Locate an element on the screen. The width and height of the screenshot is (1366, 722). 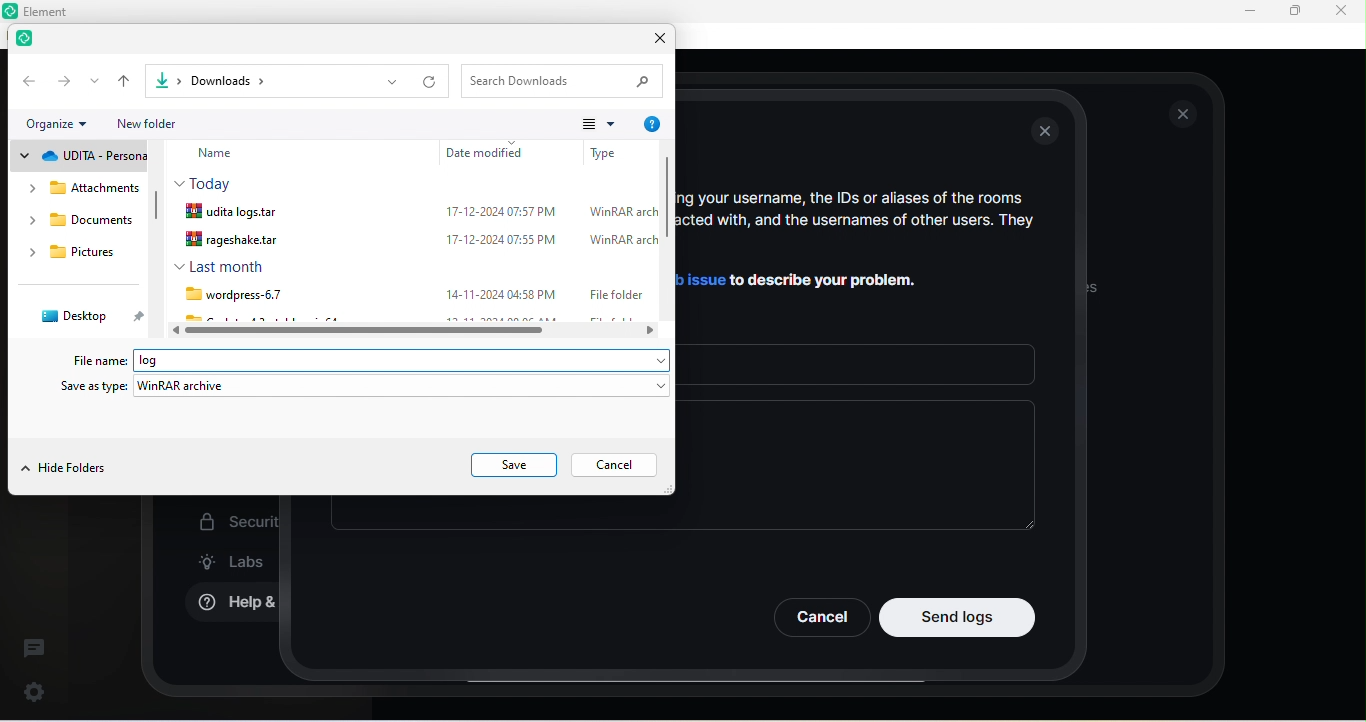
scroll bar is located at coordinates (157, 212).